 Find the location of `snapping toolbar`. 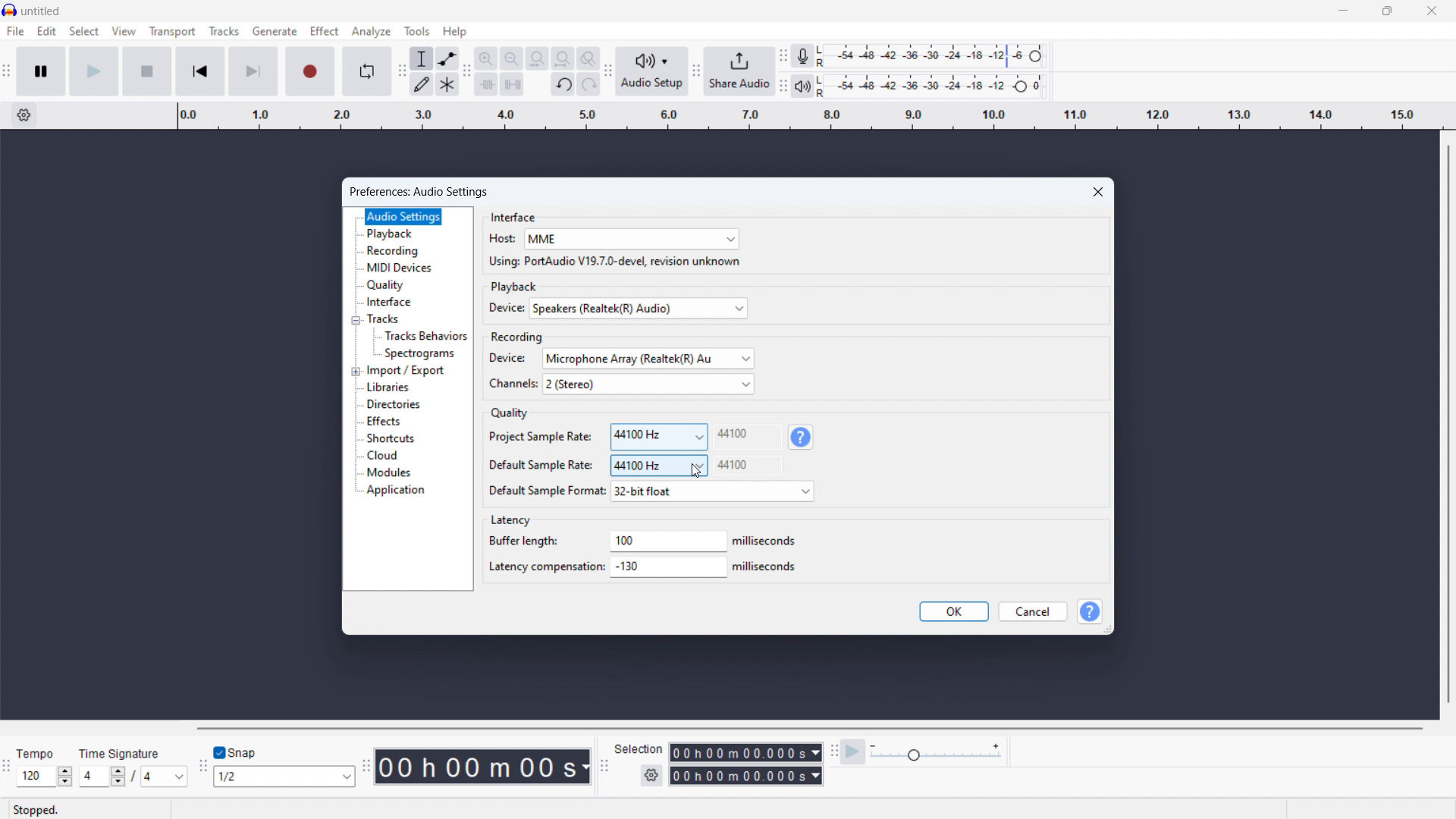

snapping toolbar is located at coordinates (201, 768).